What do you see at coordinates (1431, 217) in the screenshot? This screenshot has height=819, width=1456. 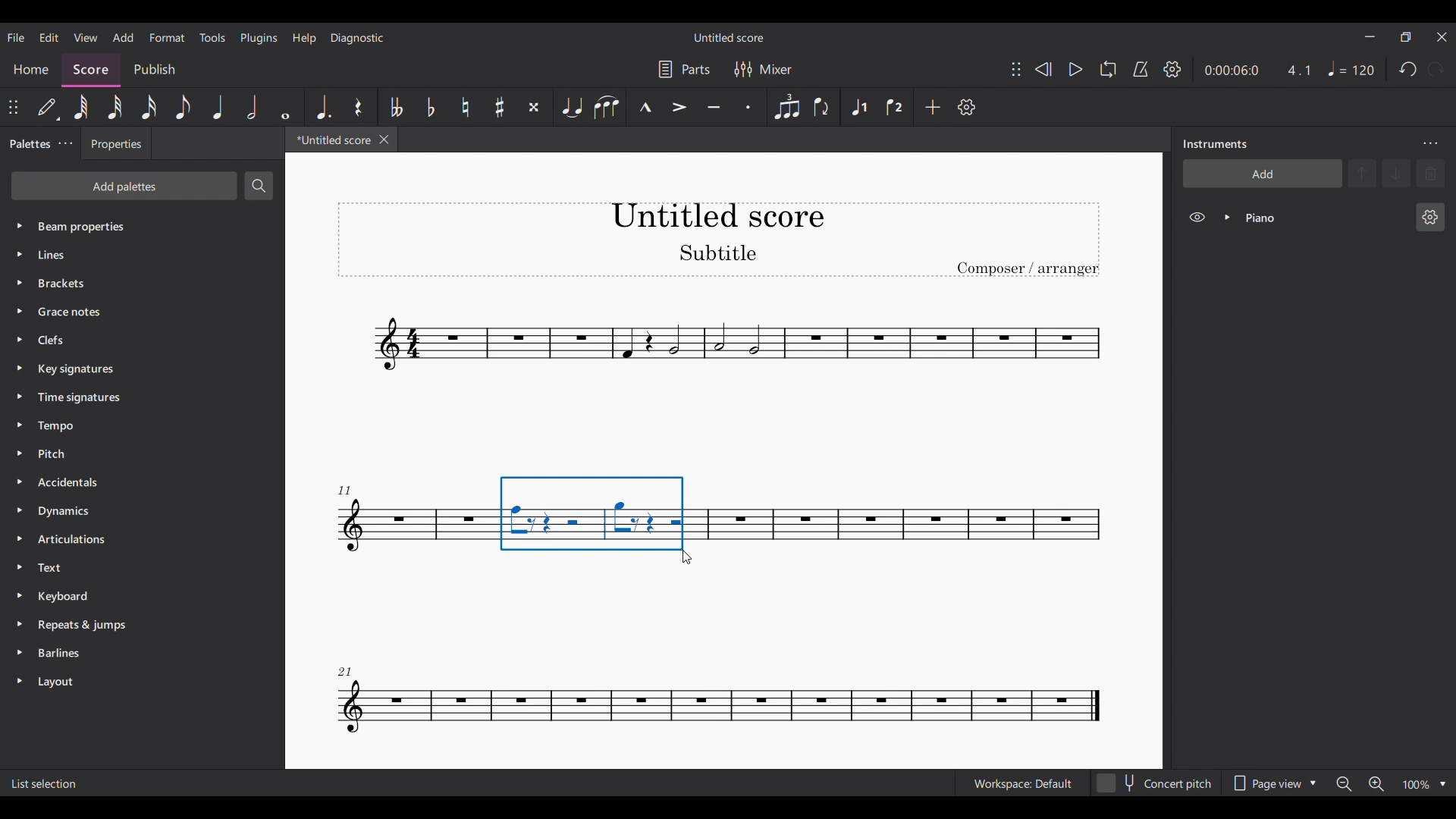 I see `Instrument settings` at bounding box center [1431, 217].